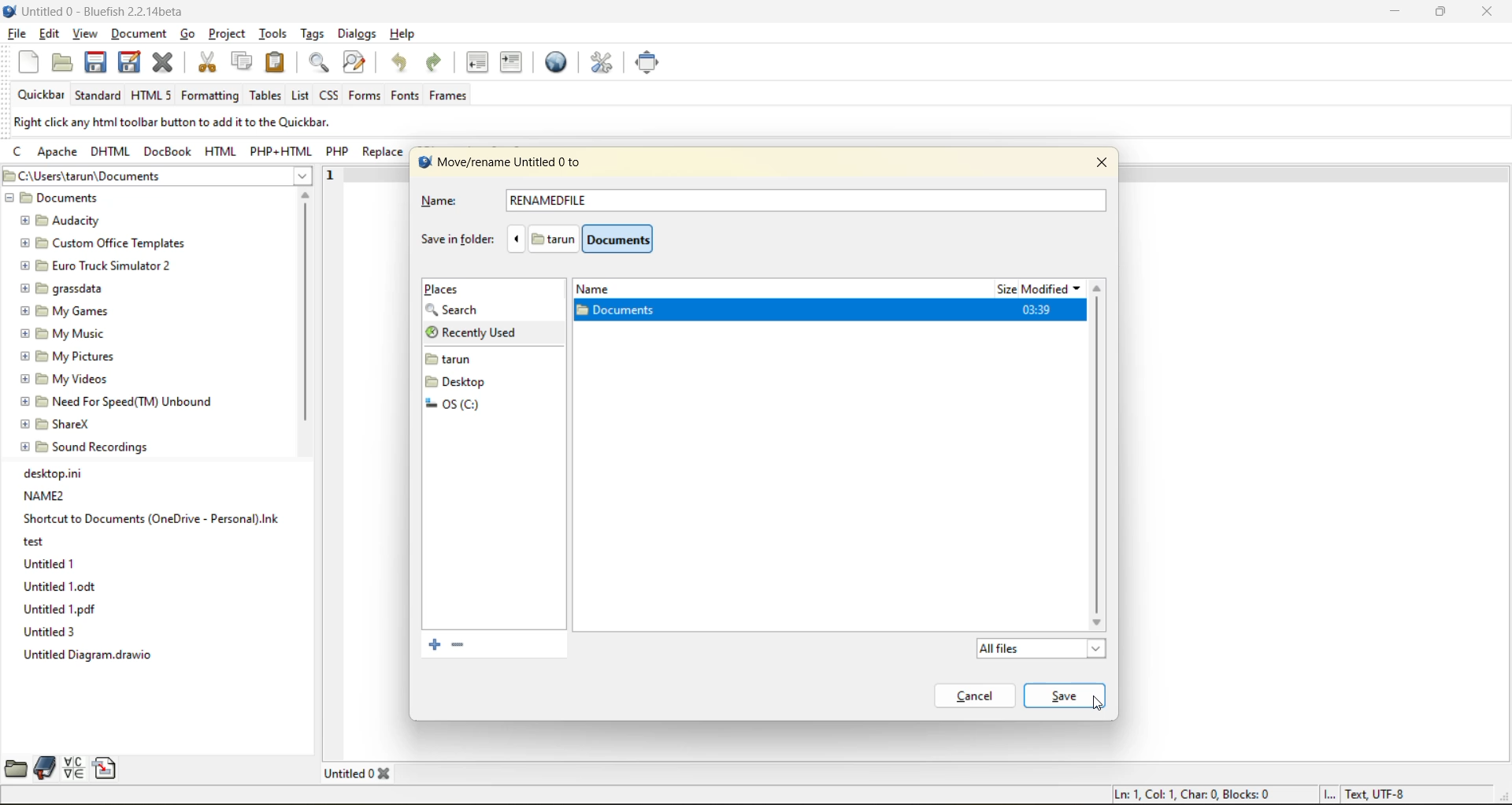  What do you see at coordinates (1100, 448) in the screenshot?
I see `graph` at bounding box center [1100, 448].